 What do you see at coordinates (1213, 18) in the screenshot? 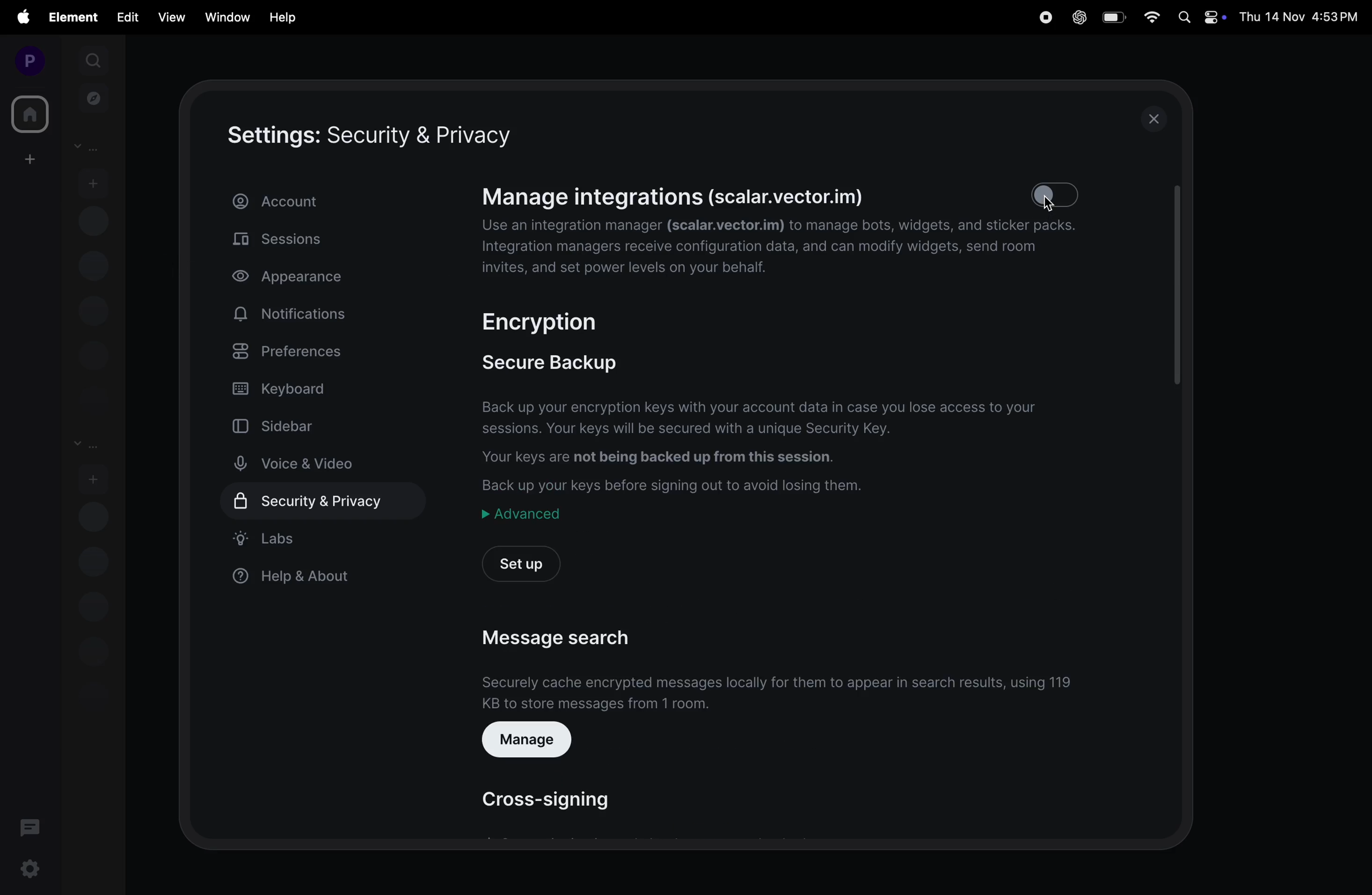
I see `apple widgets` at bounding box center [1213, 18].